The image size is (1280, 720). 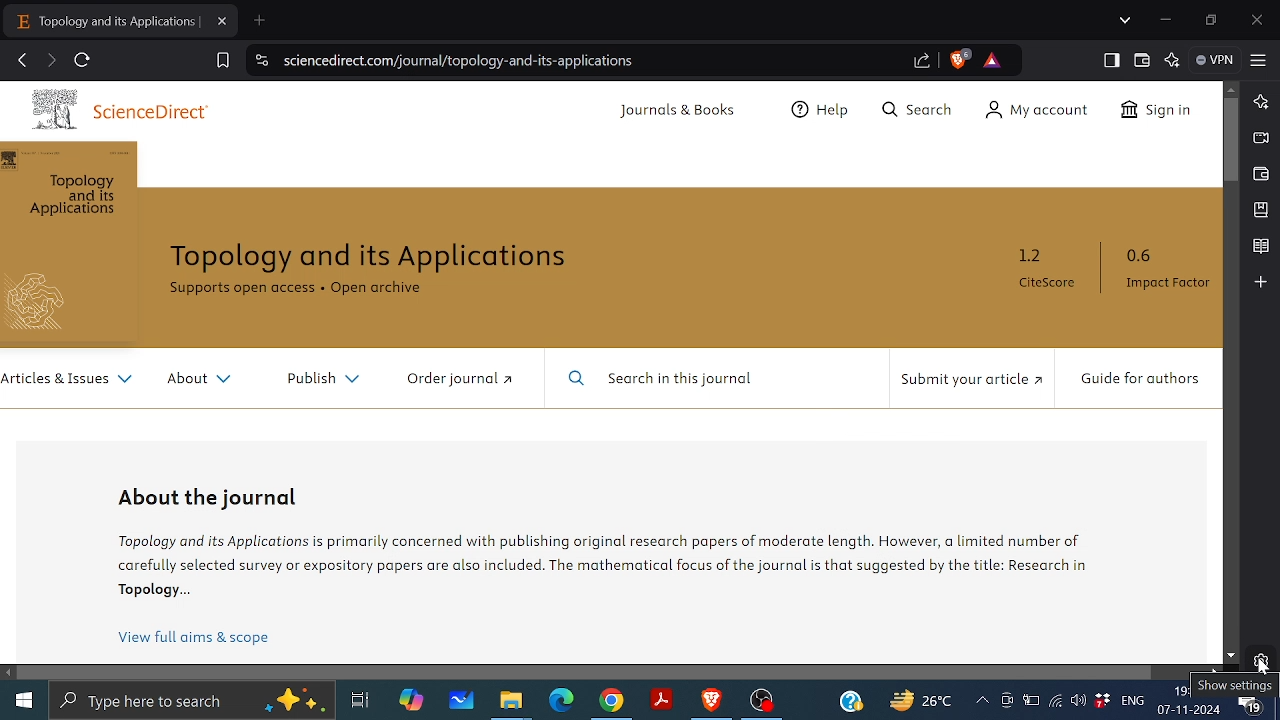 I want to click on Files, so click(x=510, y=702).